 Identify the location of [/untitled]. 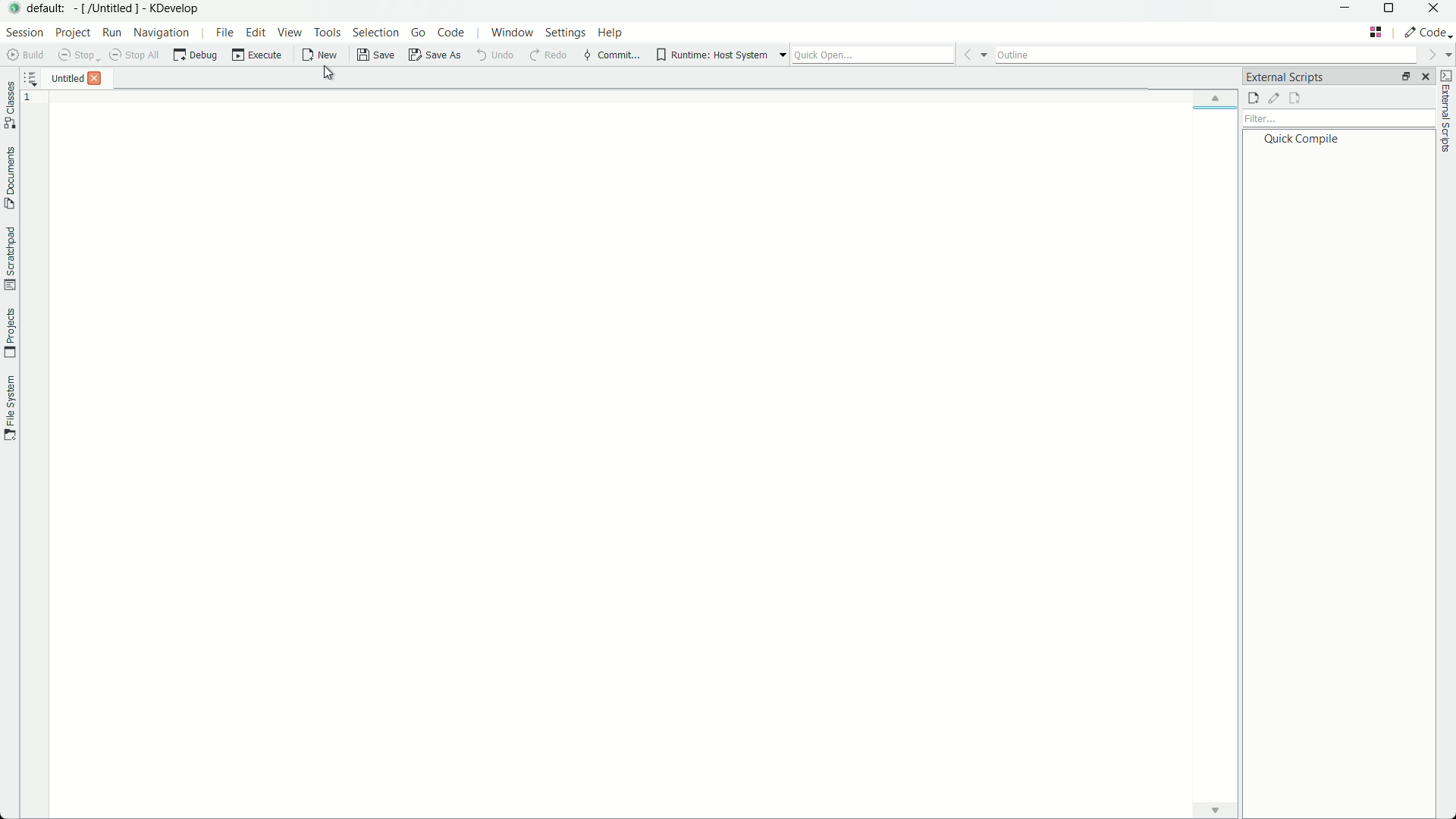
(106, 9).